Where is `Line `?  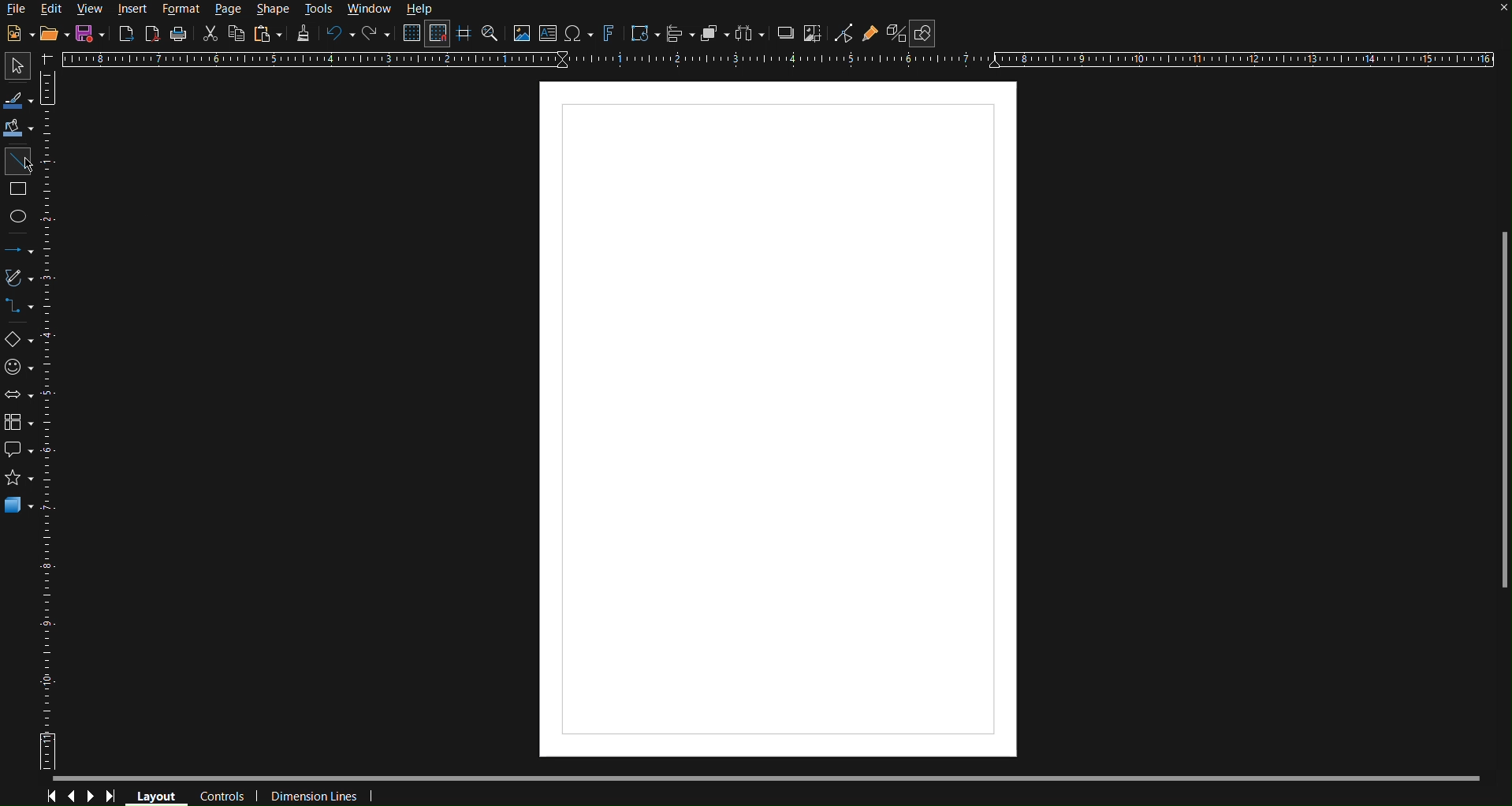
Line  is located at coordinates (18, 161).